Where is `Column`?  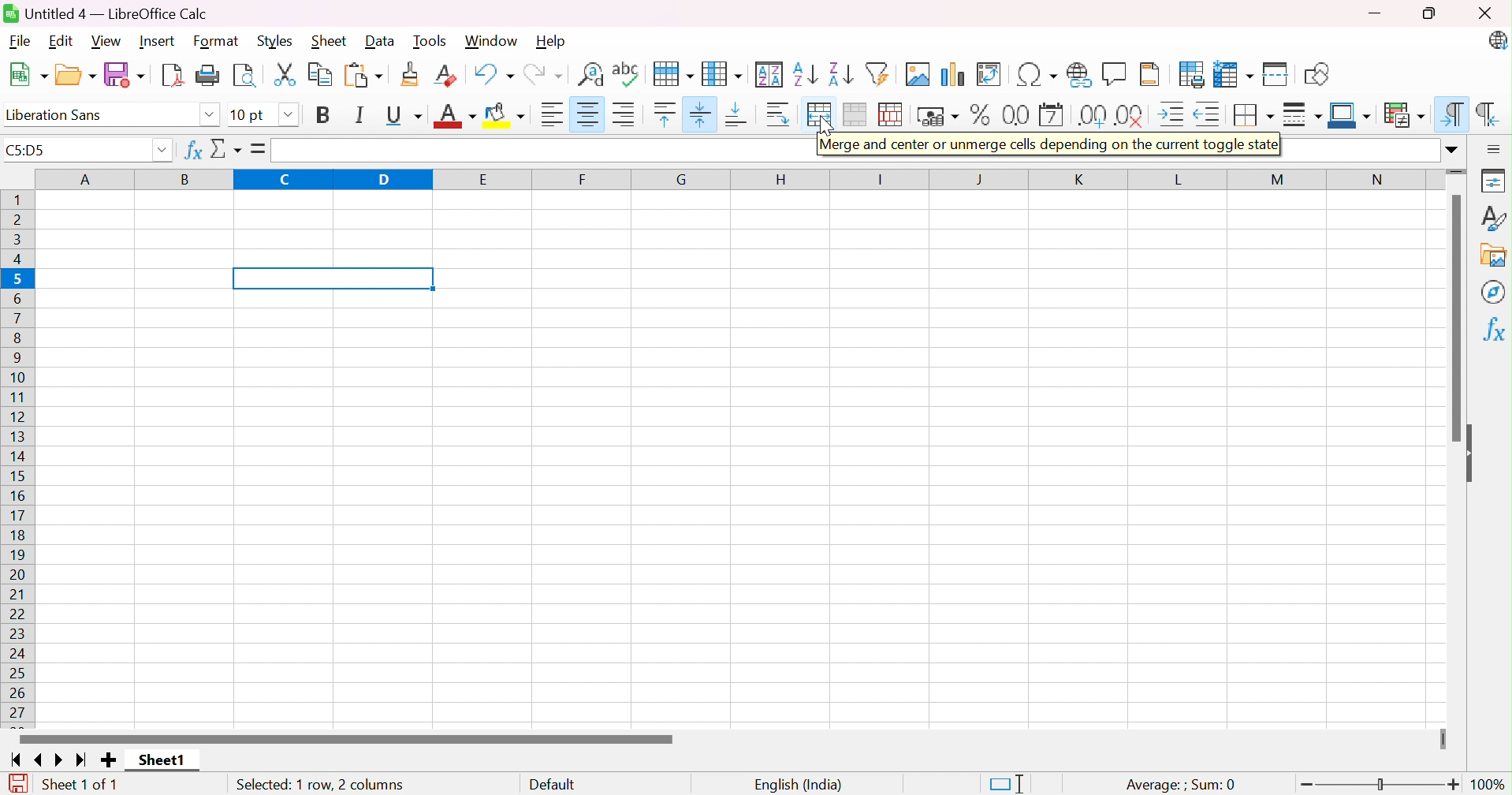
Column is located at coordinates (724, 71).